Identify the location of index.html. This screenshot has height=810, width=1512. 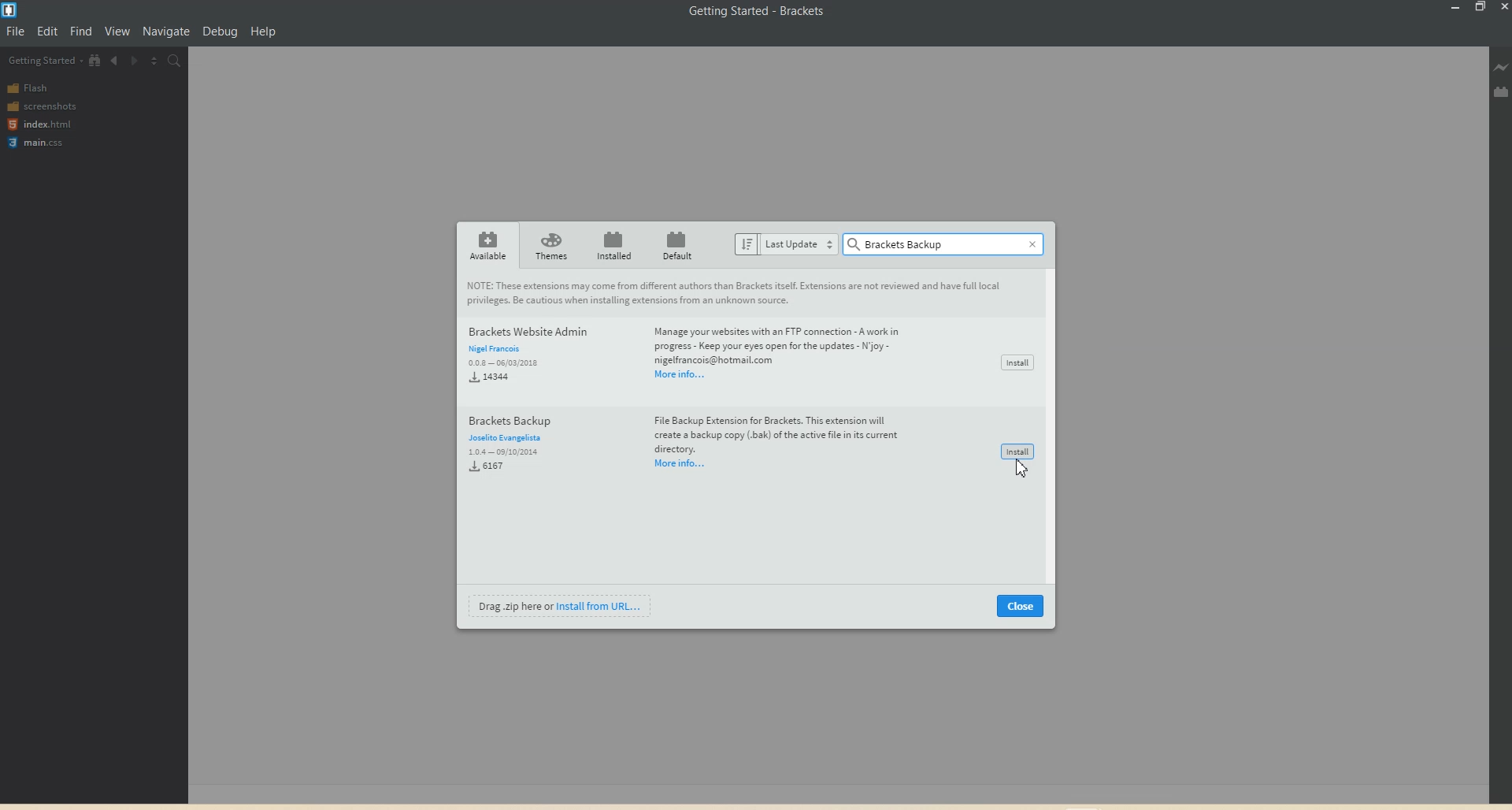
(39, 124).